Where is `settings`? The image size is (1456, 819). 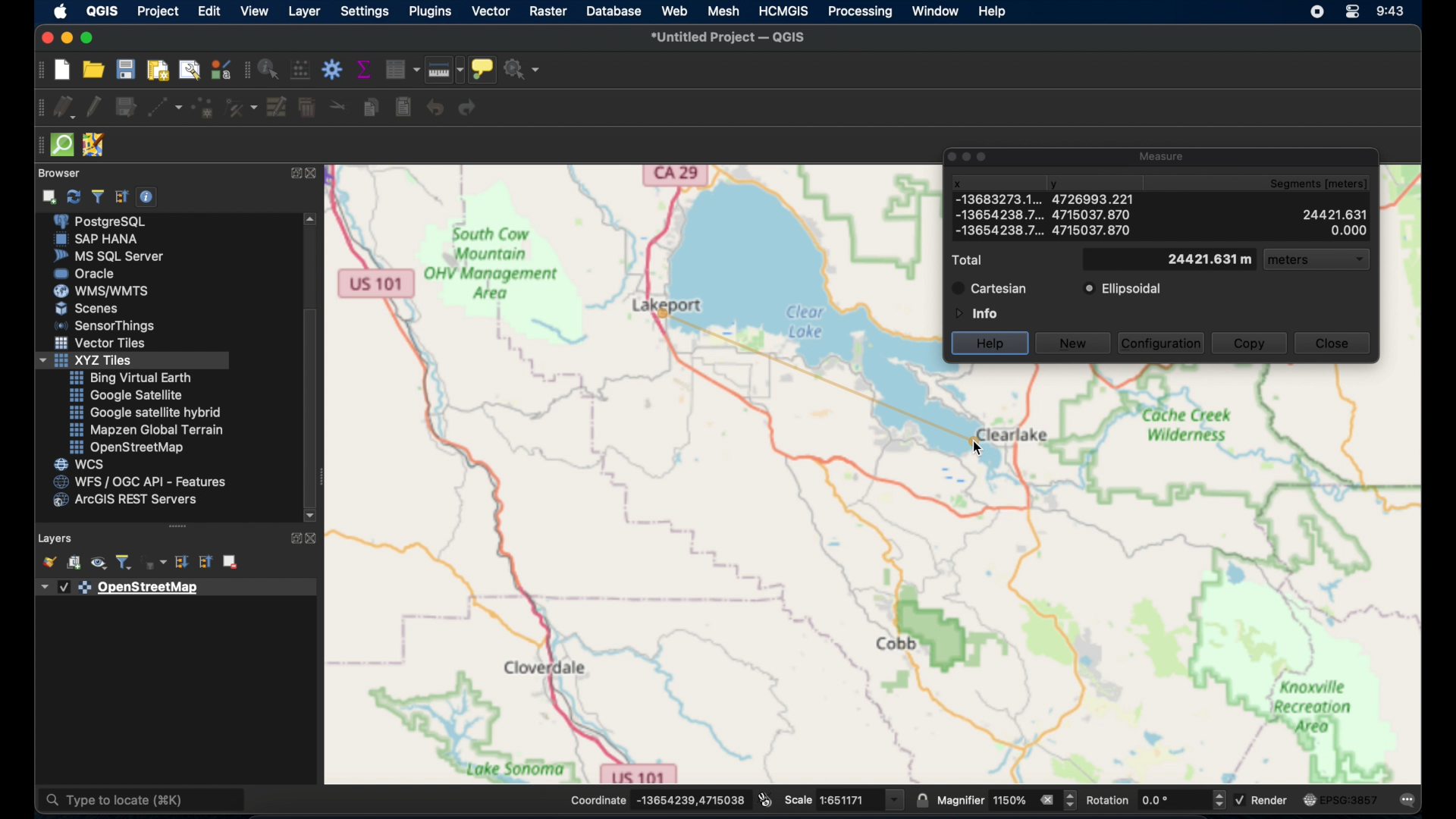
settings is located at coordinates (366, 11).